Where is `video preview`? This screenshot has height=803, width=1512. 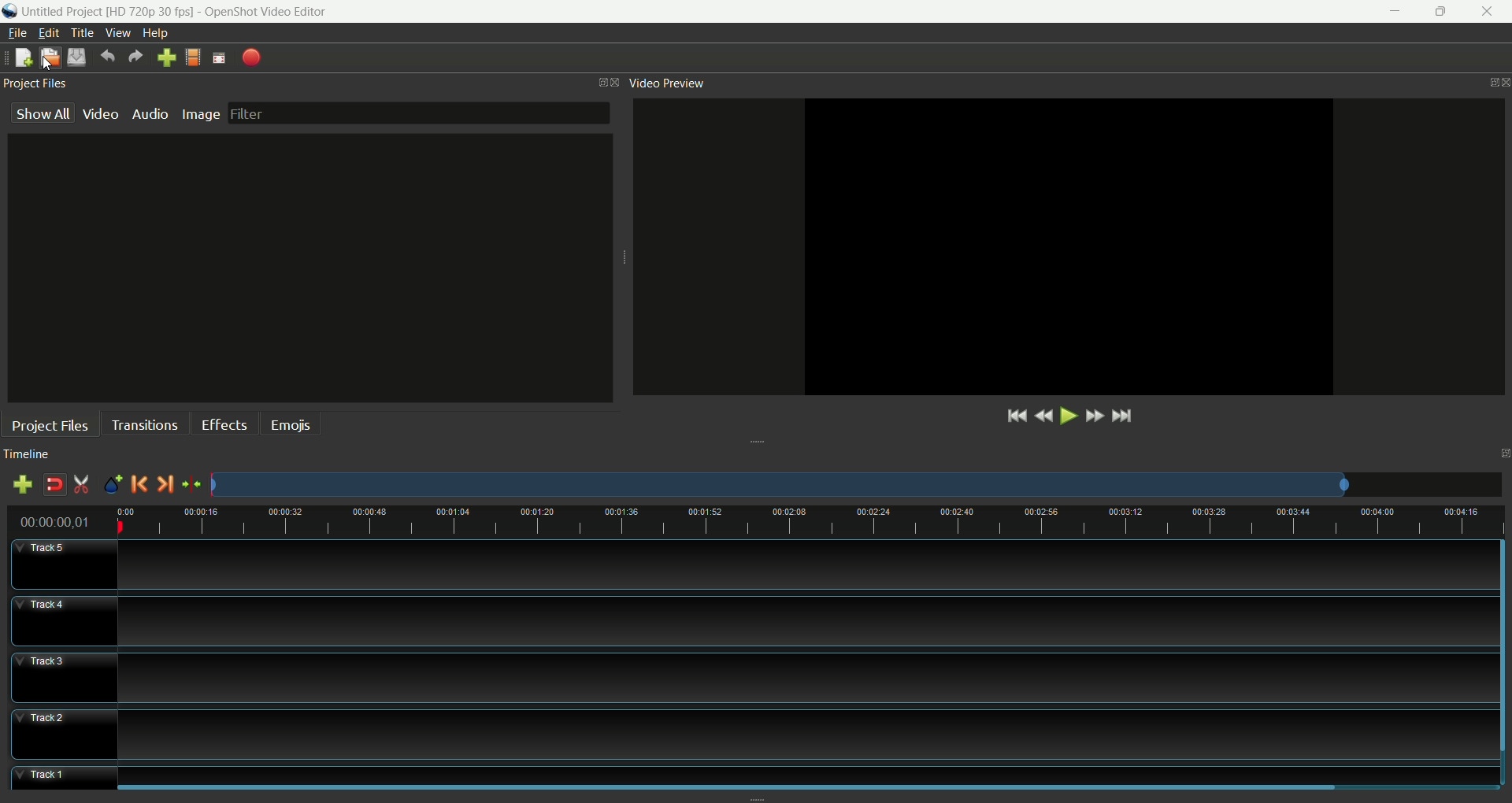
video preview is located at coordinates (665, 83).